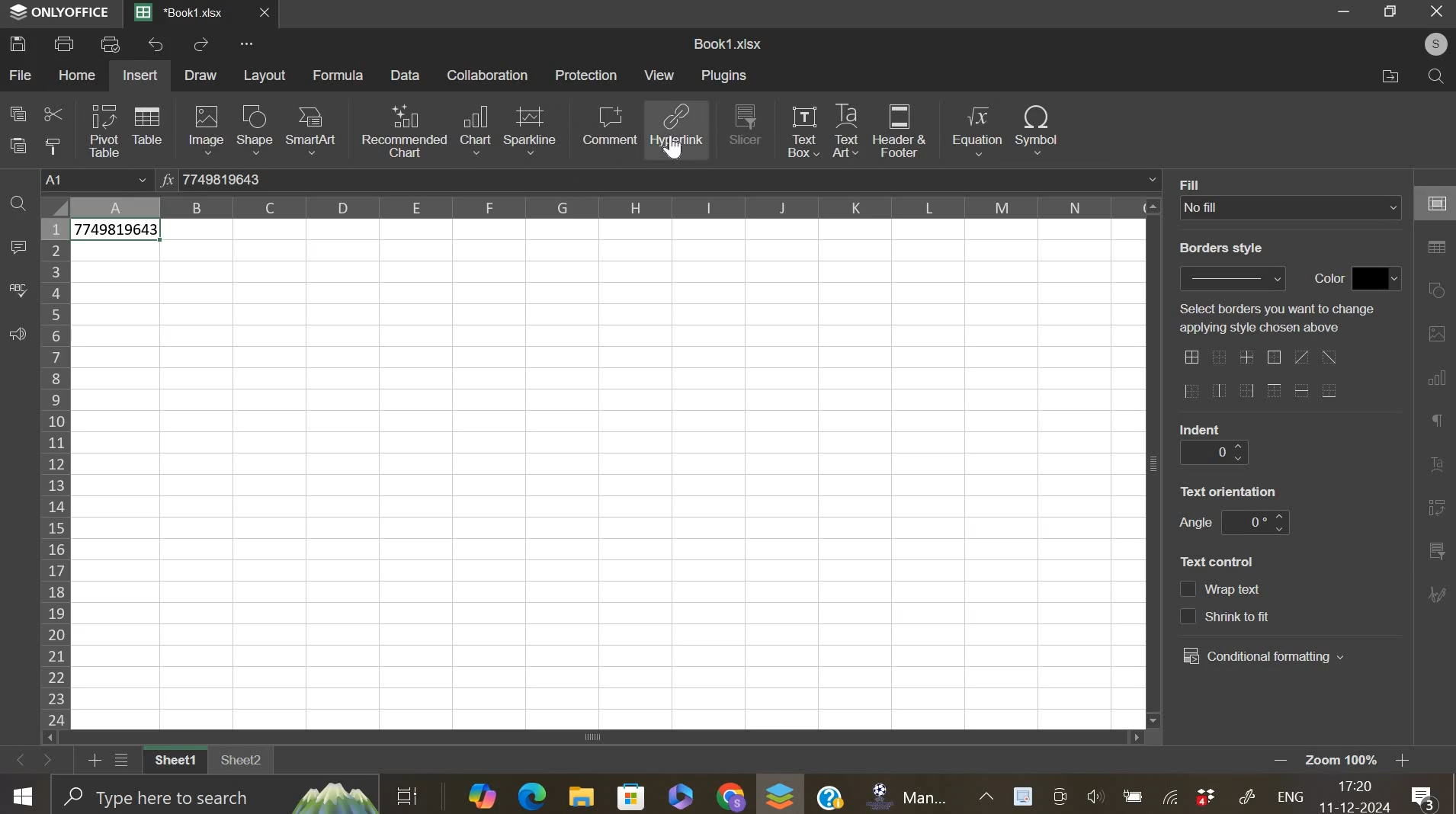  Describe the element at coordinates (60, 11) in the screenshot. I see `ONLY OFFICE logo` at that location.